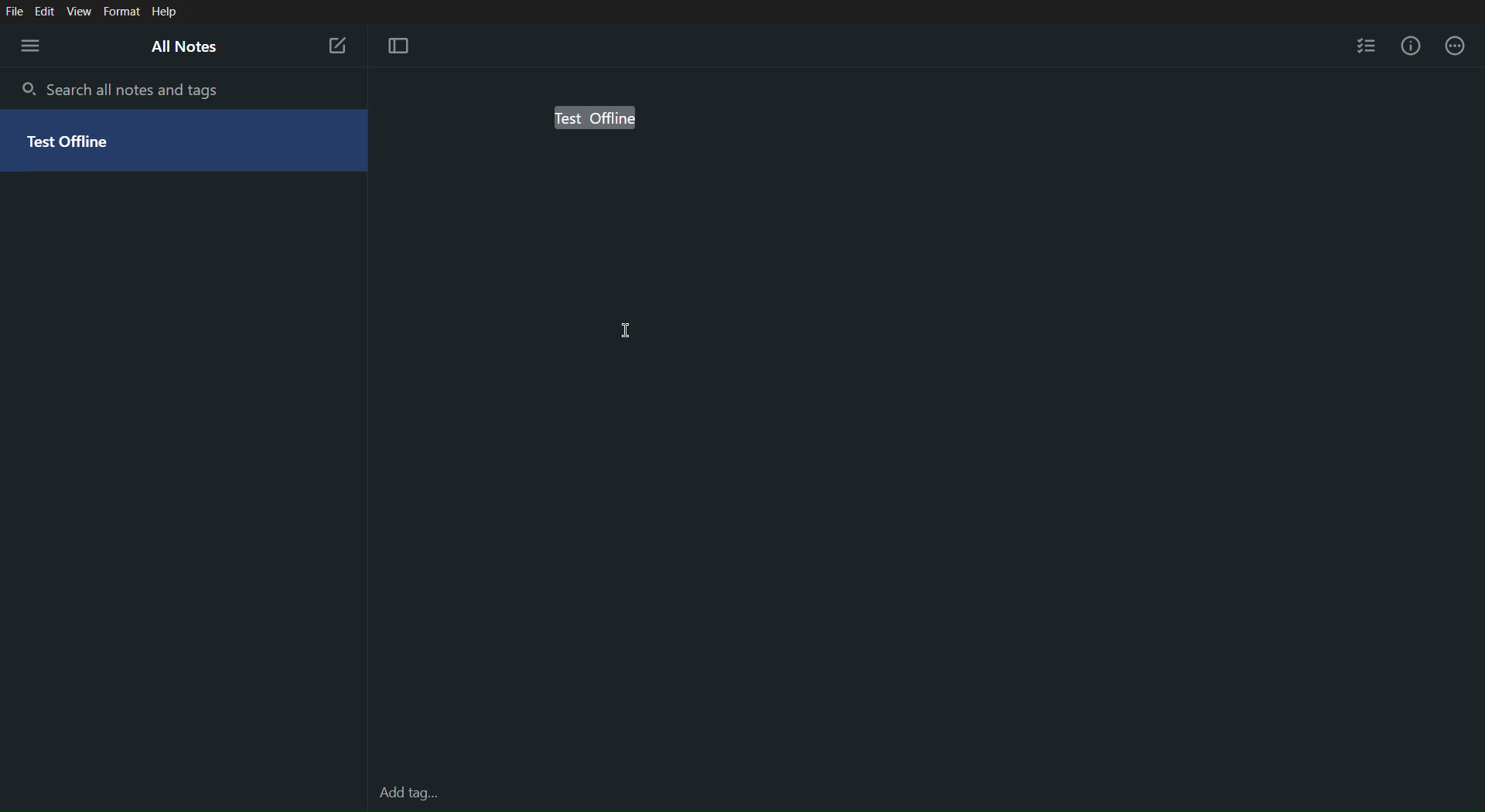 This screenshot has height=812, width=1485. Describe the element at coordinates (122, 10) in the screenshot. I see `Format` at that location.